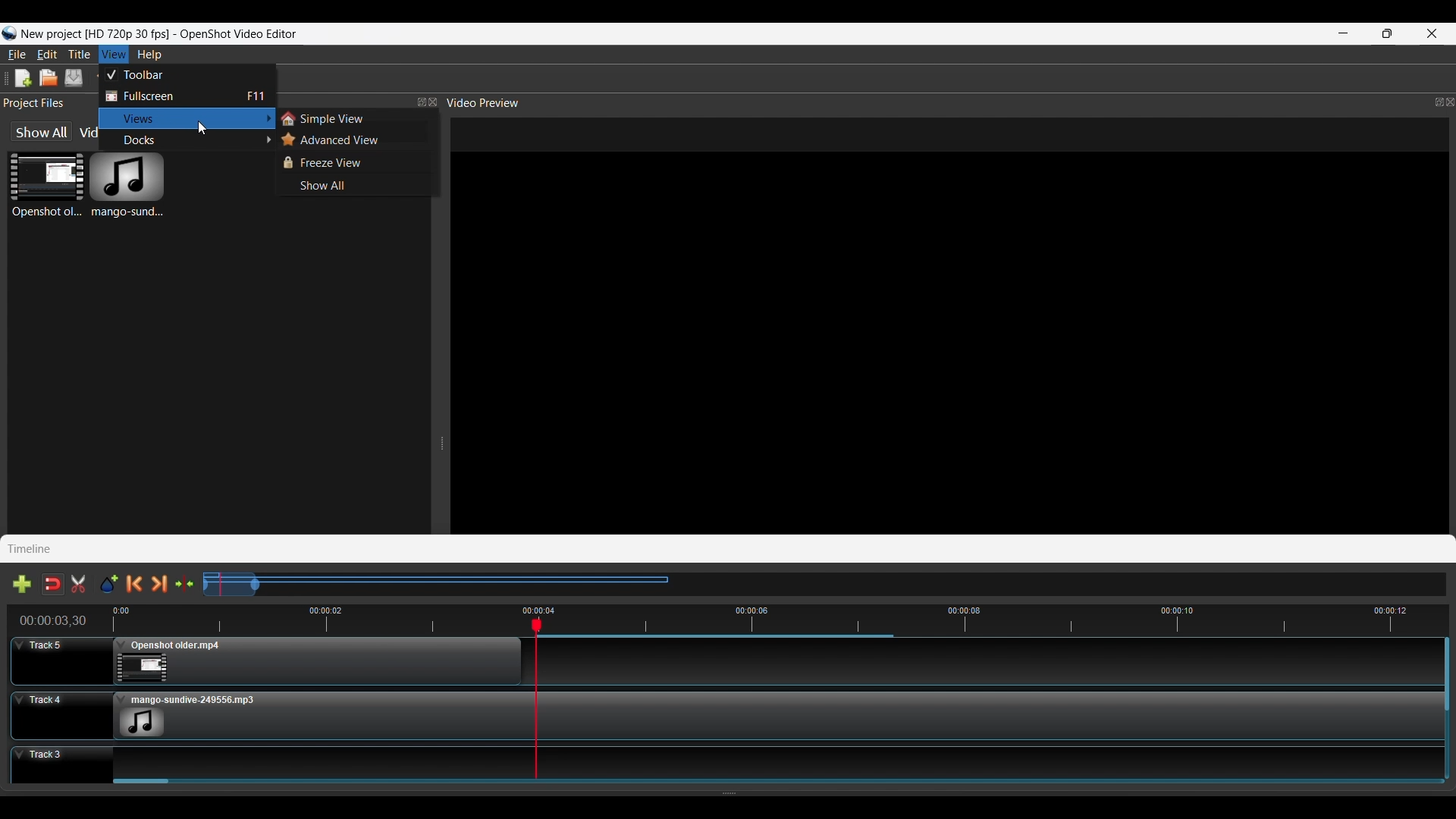 The height and width of the screenshot is (819, 1456). I want to click on Previous Marker, so click(135, 584).